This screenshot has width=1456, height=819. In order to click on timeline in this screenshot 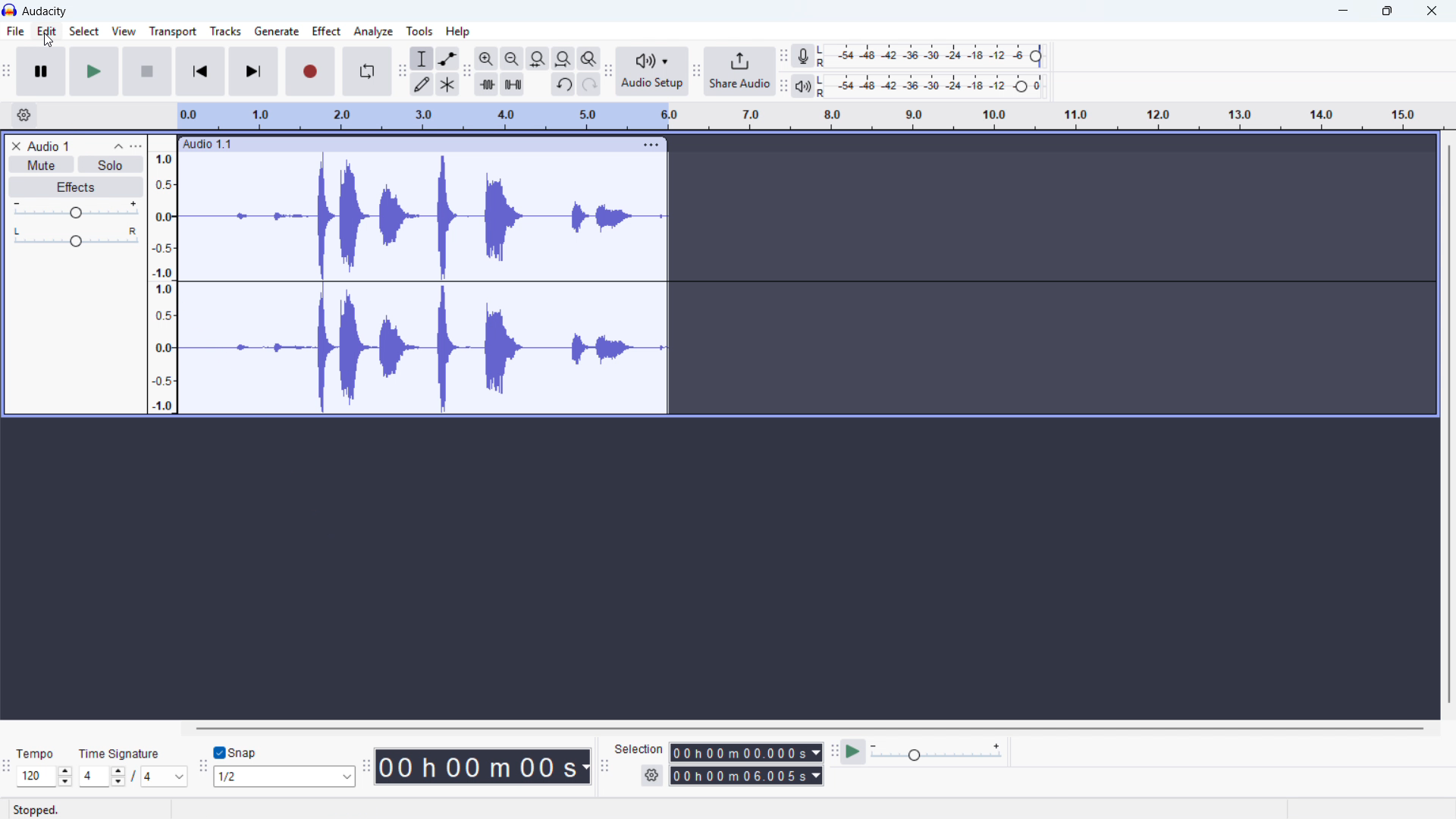, I will do `click(810, 116)`.